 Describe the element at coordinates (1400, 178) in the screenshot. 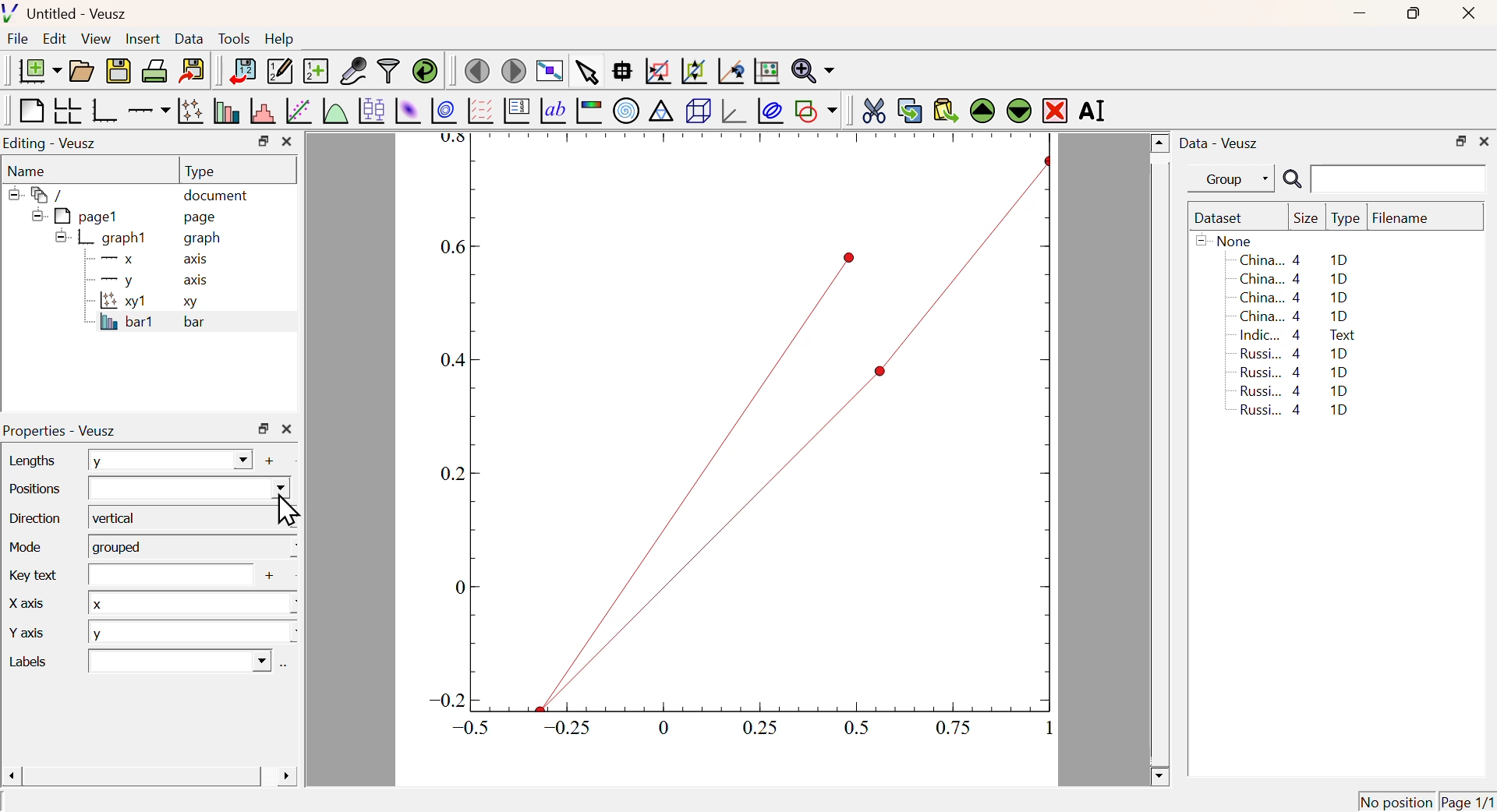

I see `Search Input` at that location.